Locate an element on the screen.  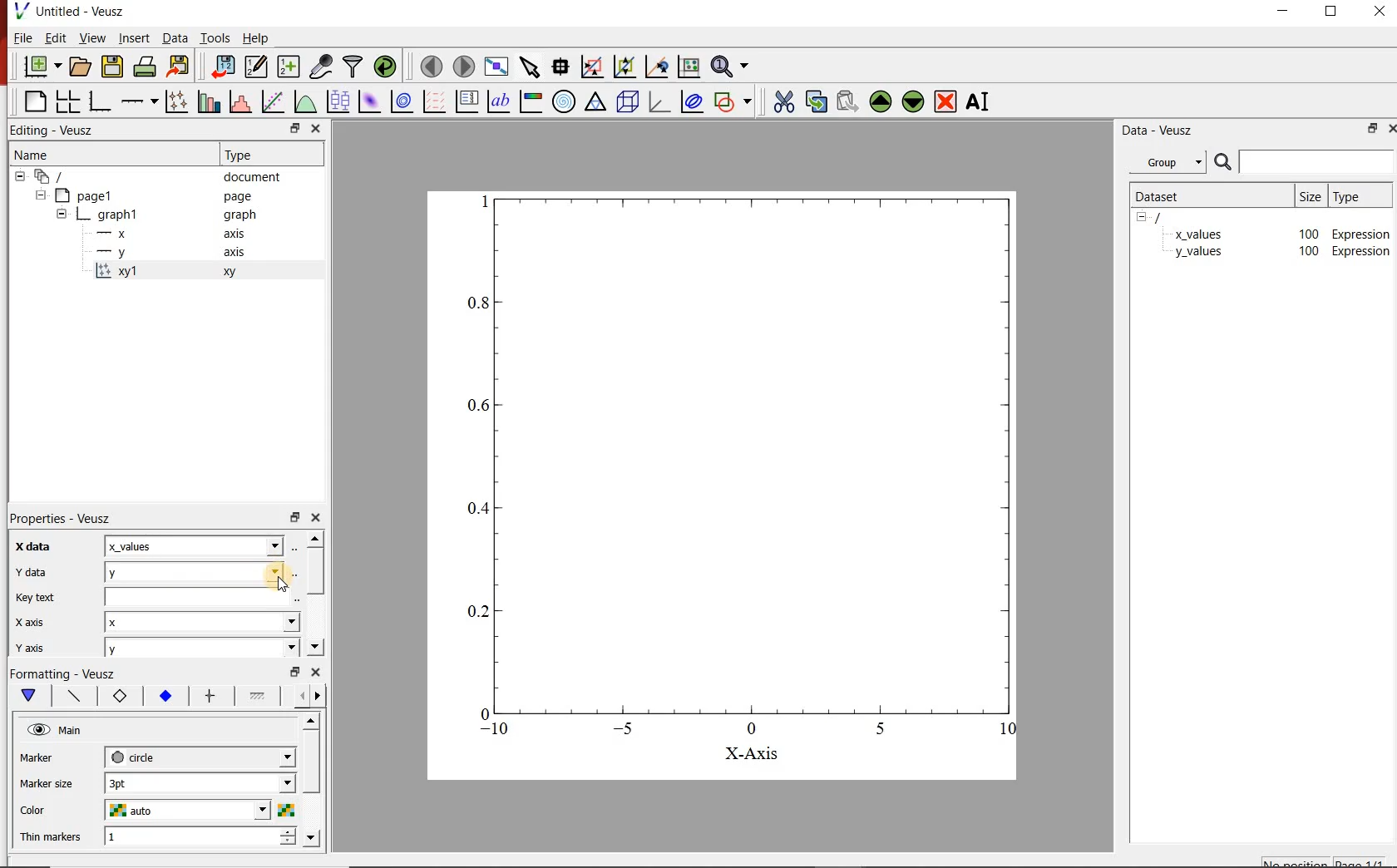
3d scene is located at coordinates (629, 104).